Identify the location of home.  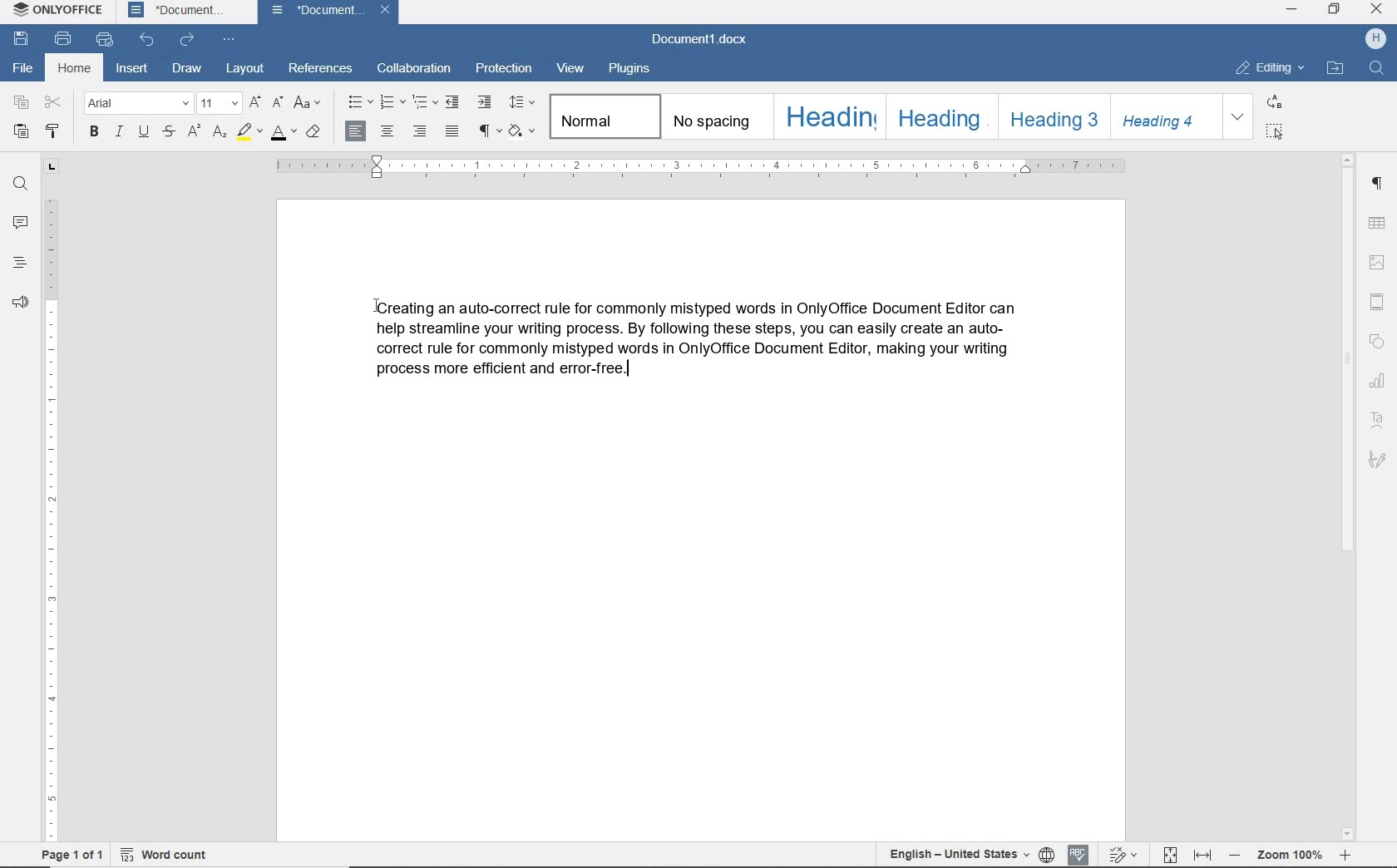
(76, 67).